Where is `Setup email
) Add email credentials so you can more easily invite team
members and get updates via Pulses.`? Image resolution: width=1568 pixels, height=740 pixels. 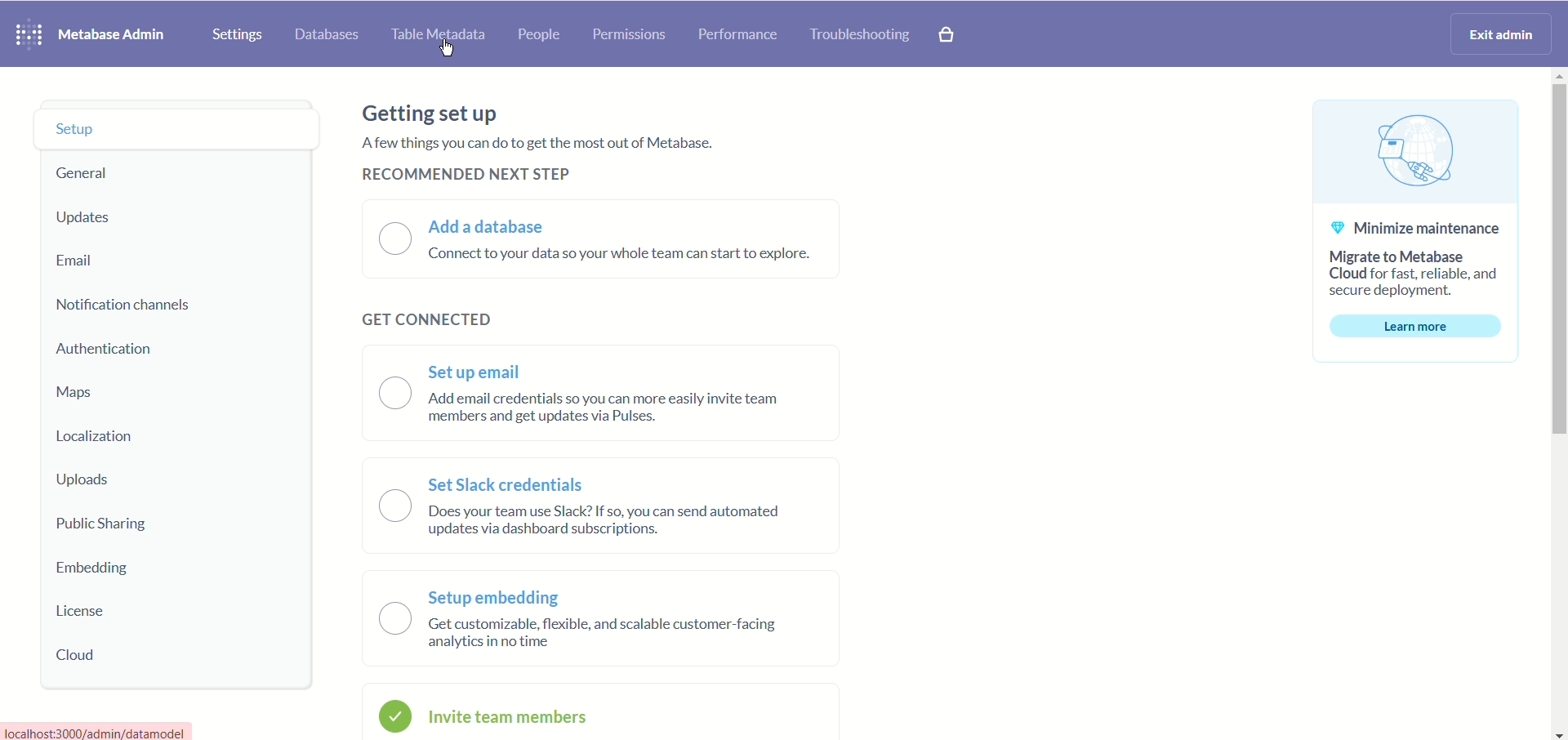
Setup email
) Add email credentials so you can more easily invite team
members and get updates via Pulses. is located at coordinates (612, 394).